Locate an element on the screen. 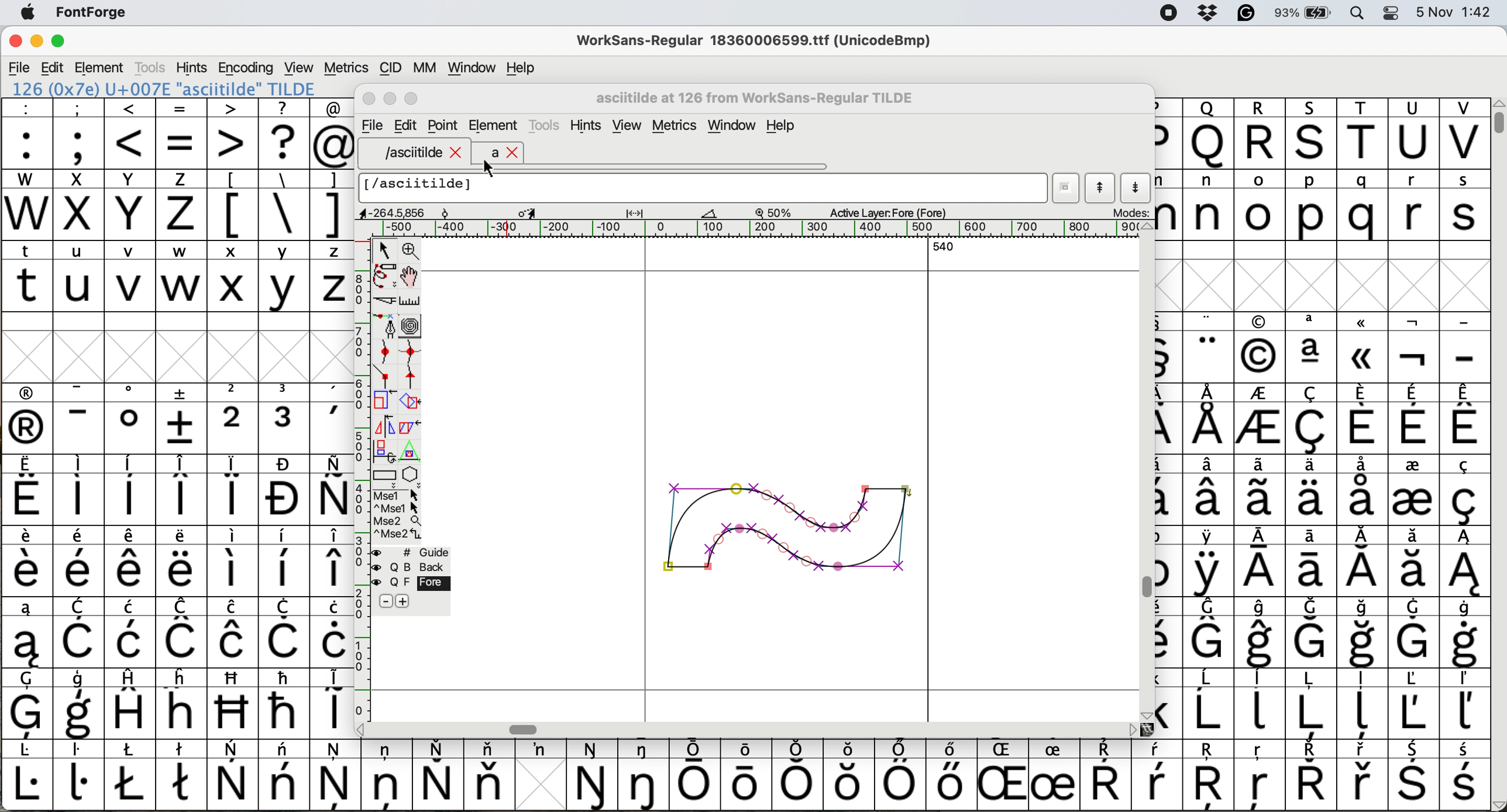 The width and height of the screenshot is (1507, 812).  is located at coordinates (183, 703).